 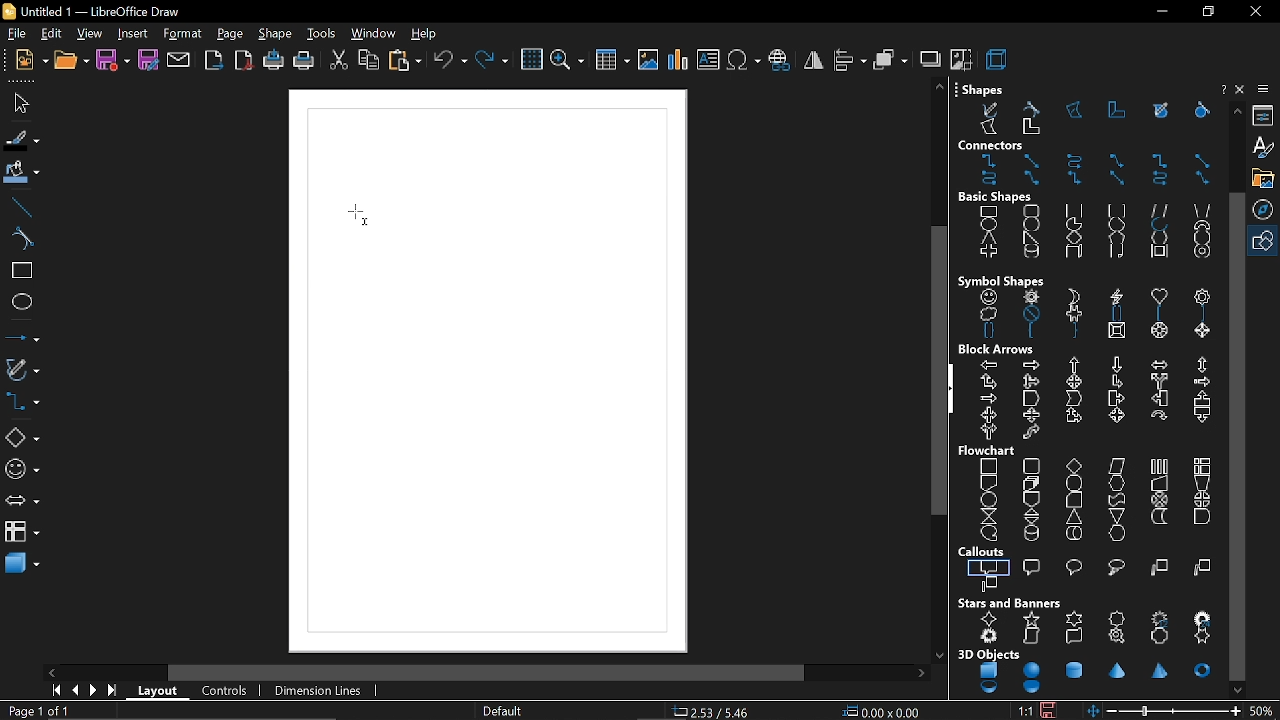 What do you see at coordinates (1201, 332) in the screenshot?
I see `diamond bevel` at bounding box center [1201, 332].